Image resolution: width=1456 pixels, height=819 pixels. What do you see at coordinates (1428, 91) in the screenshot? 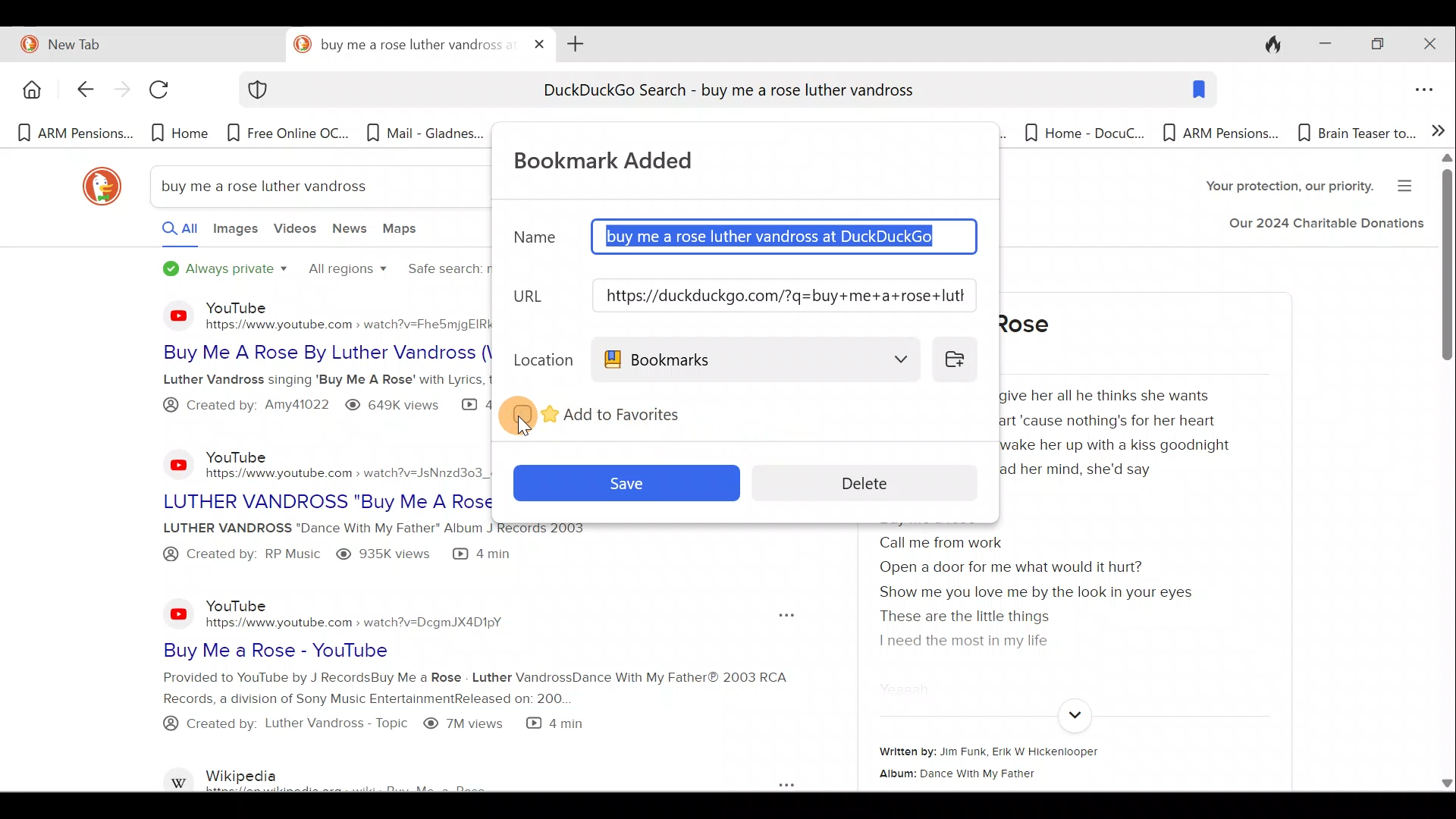
I see `Application menu` at bounding box center [1428, 91].